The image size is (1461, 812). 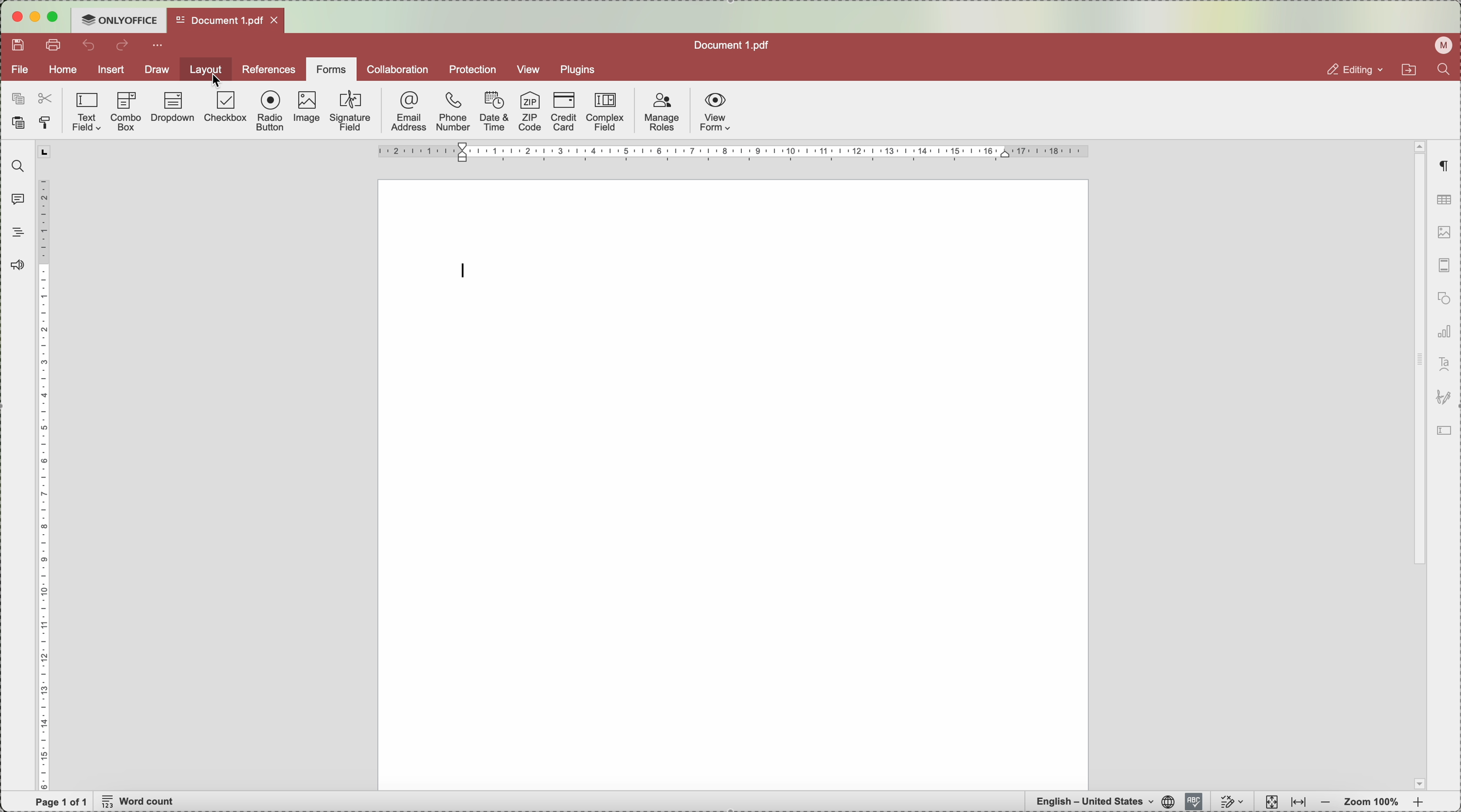 What do you see at coordinates (219, 83) in the screenshot?
I see `cursor` at bounding box center [219, 83].